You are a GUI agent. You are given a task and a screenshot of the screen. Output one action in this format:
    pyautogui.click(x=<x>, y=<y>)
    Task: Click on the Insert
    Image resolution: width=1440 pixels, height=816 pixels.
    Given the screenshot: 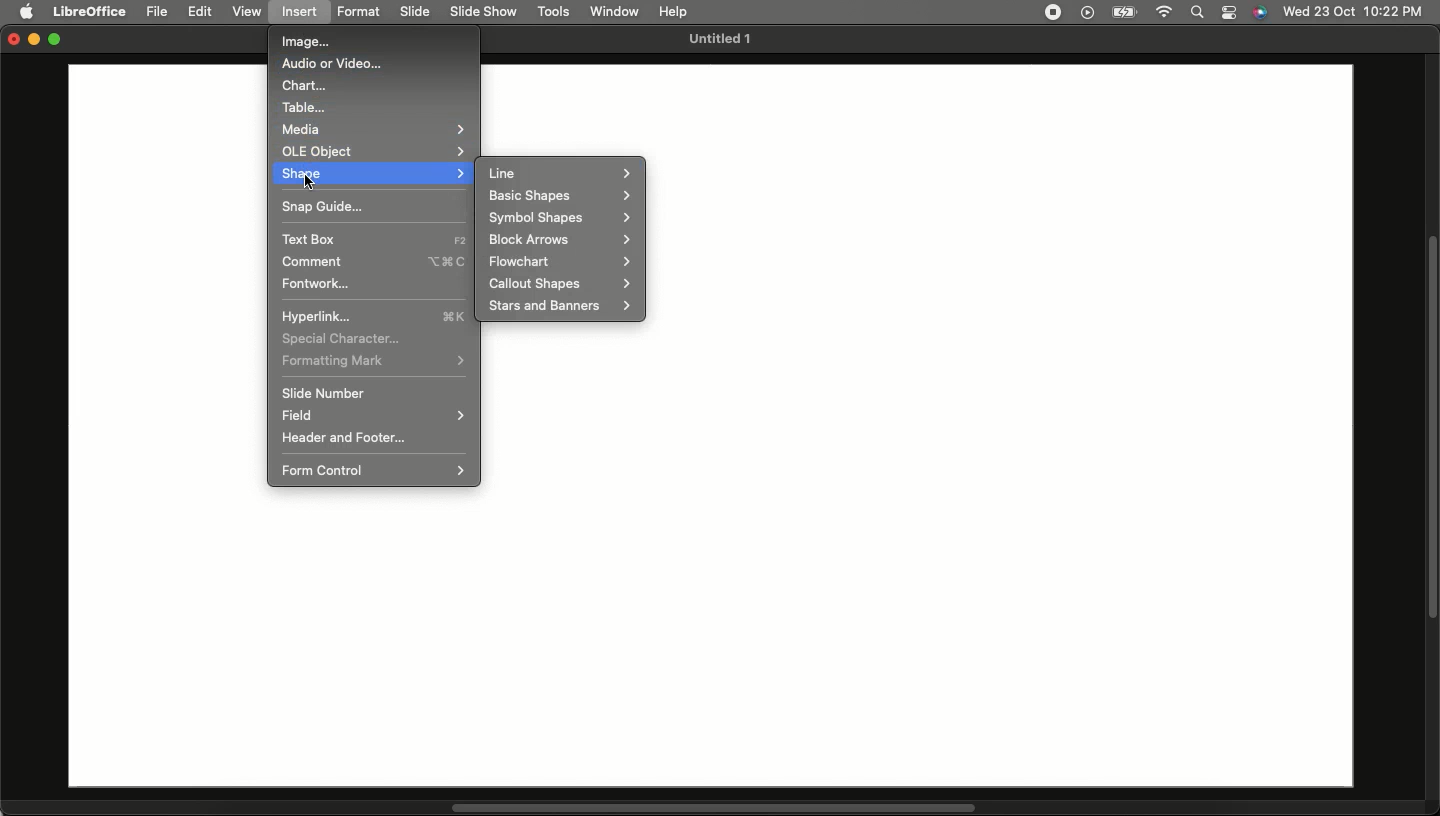 What is the action you would take?
    pyautogui.click(x=301, y=12)
    